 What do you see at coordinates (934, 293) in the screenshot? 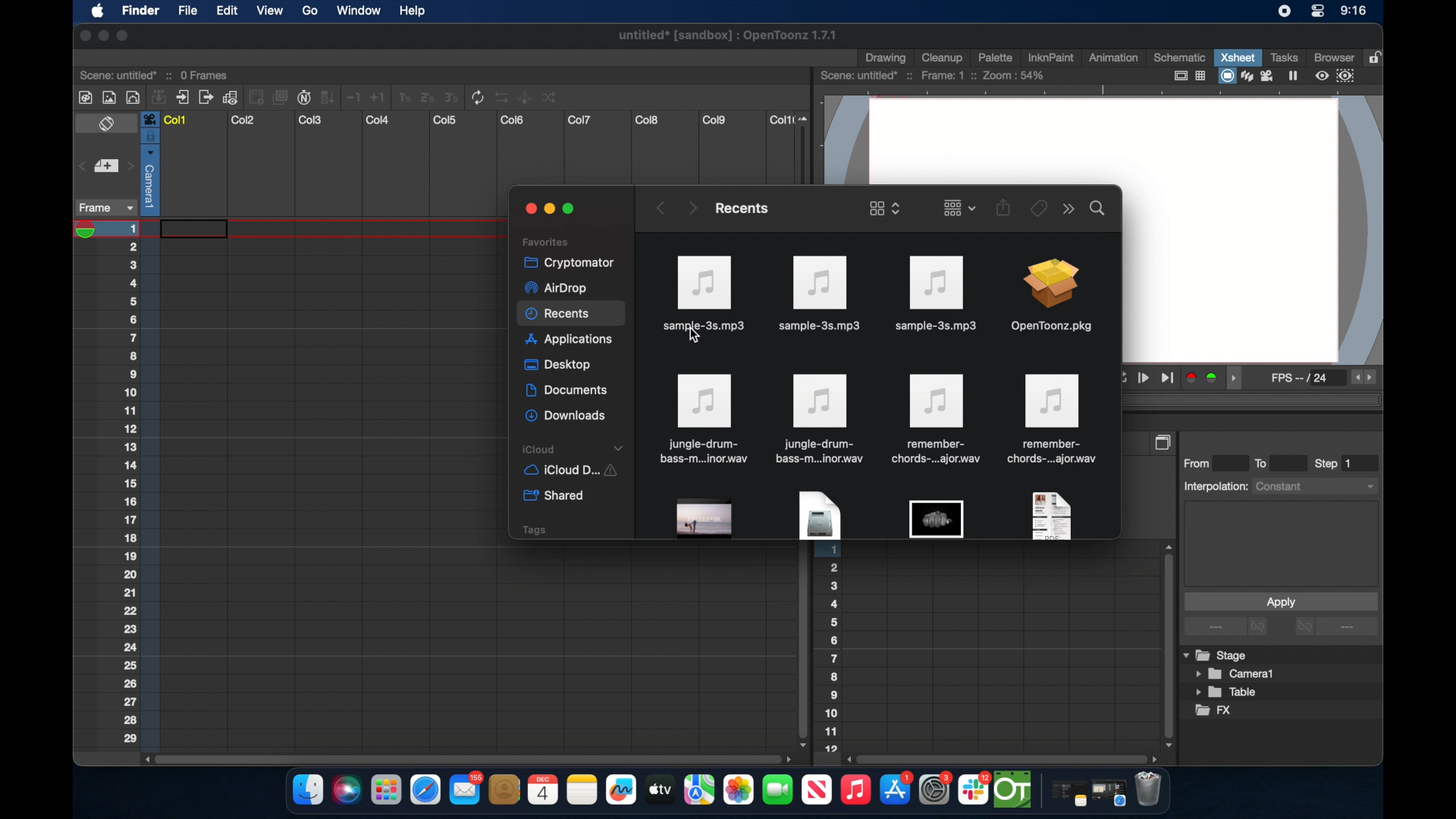
I see `mp3 icon` at bounding box center [934, 293].